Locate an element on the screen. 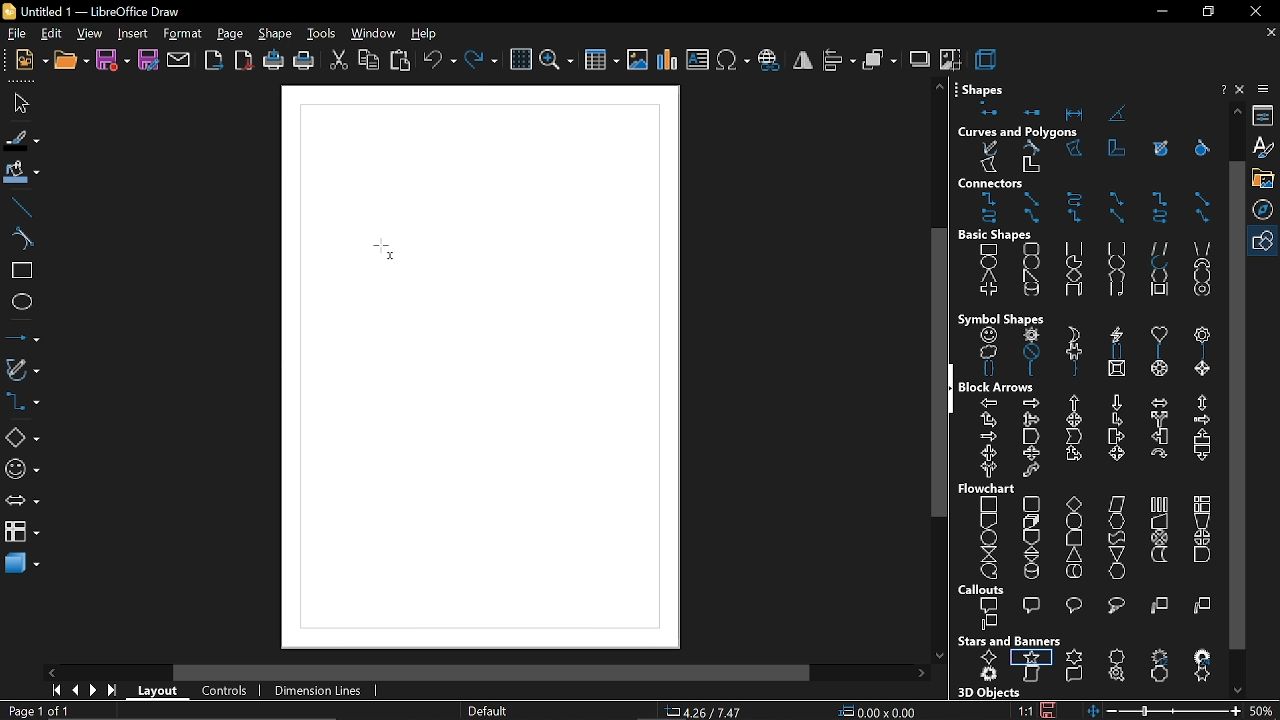 This screenshot has height=720, width=1280. vertical scroll bar is located at coordinates (939, 372).